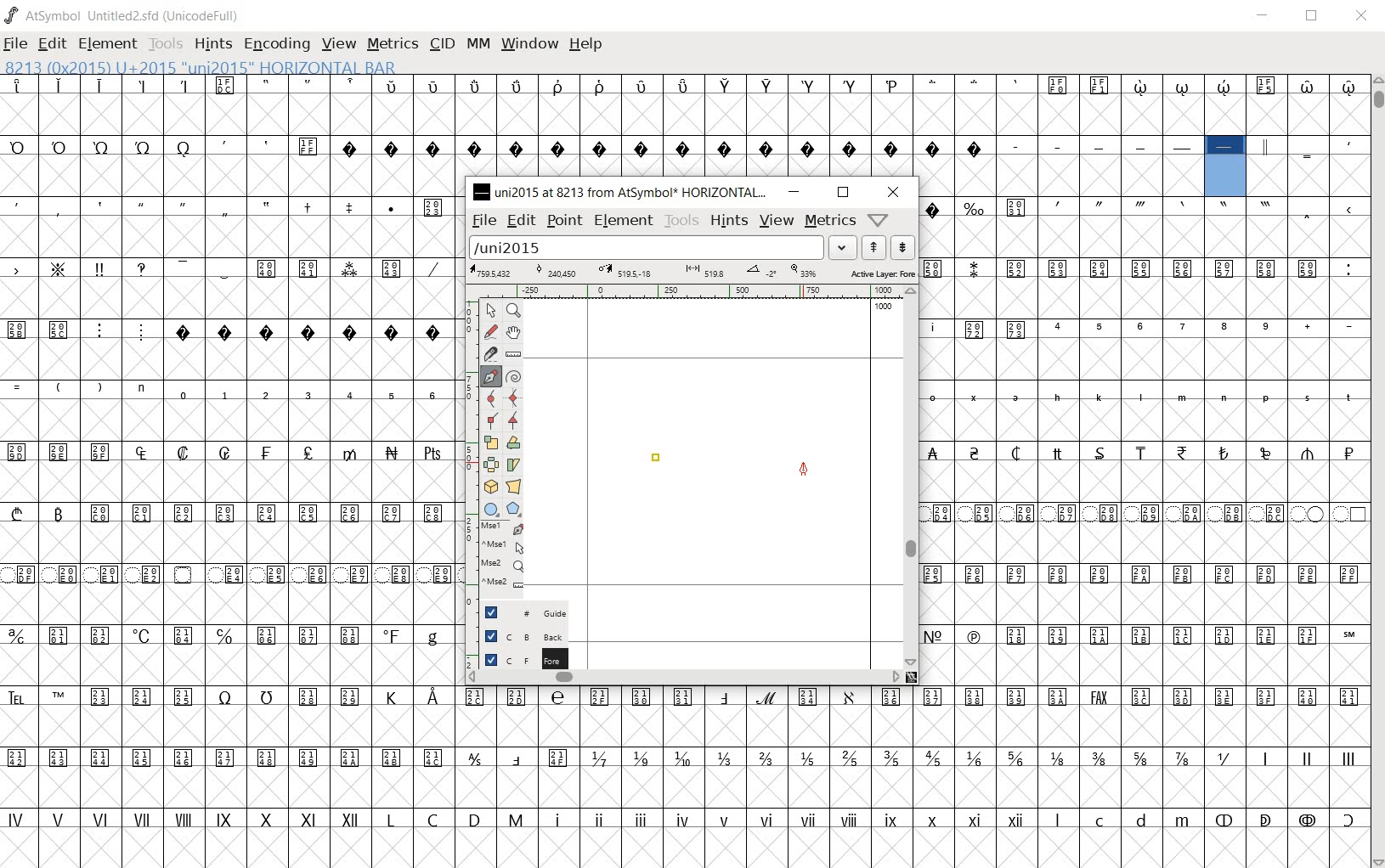  I want to click on show the next word on the list, so click(873, 247).